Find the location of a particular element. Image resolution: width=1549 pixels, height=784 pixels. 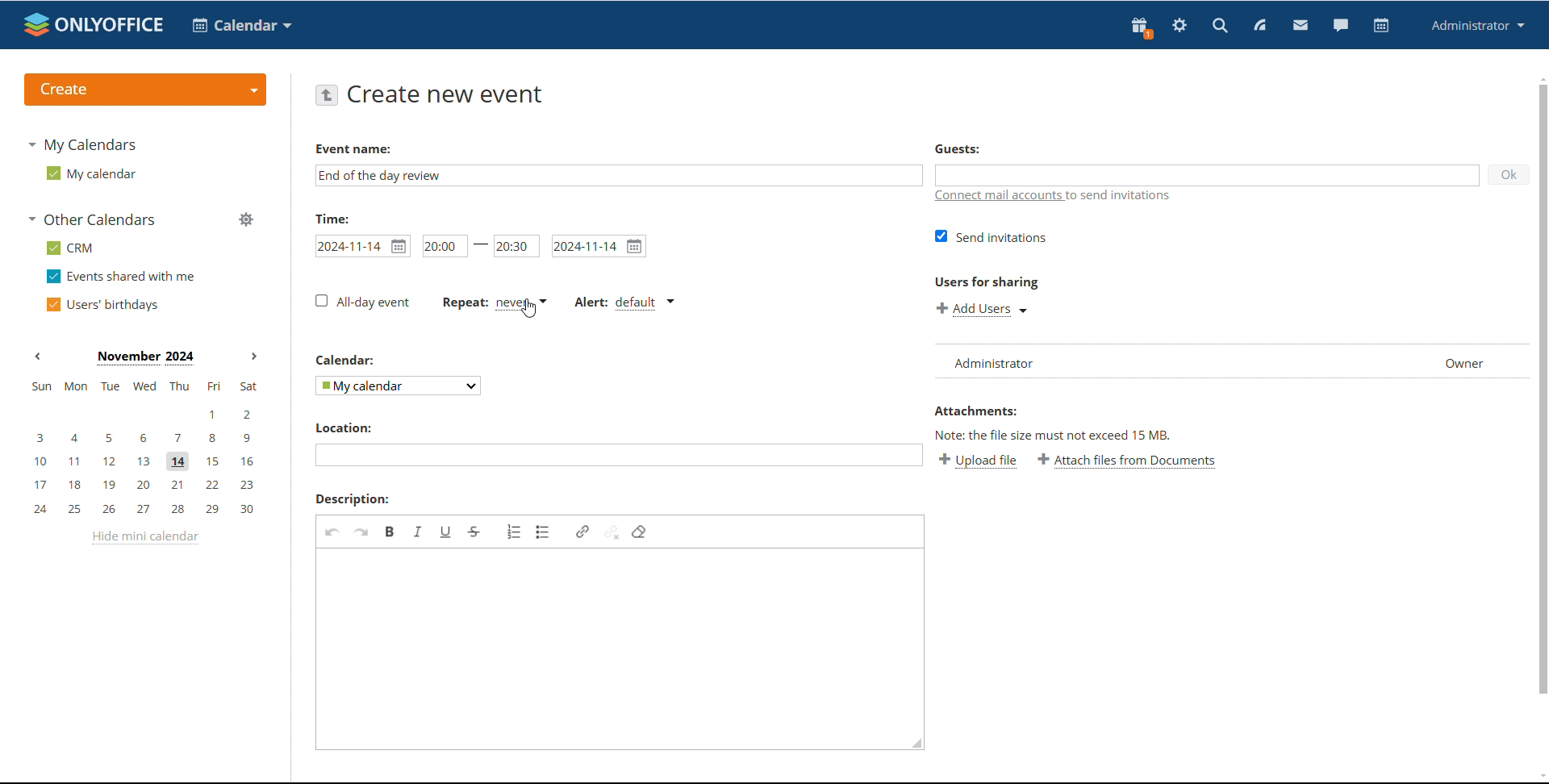

users' birthdays is located at coordinates (101, 305).